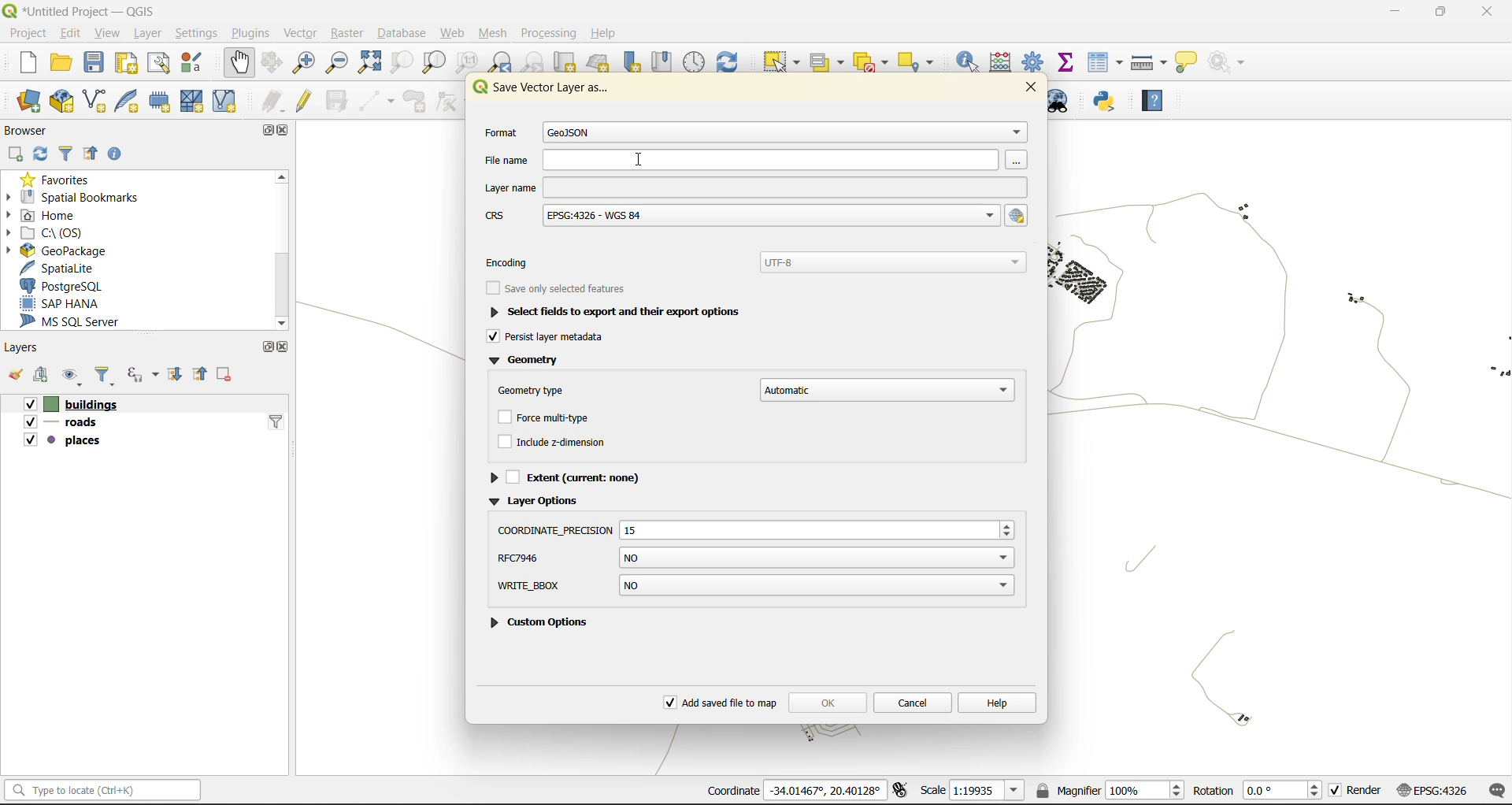 This screenshot has width=1512, height=805. What do you see at coordinates (603, 32) in the screenshot?
I see `help` at bounding box center [603, 32].